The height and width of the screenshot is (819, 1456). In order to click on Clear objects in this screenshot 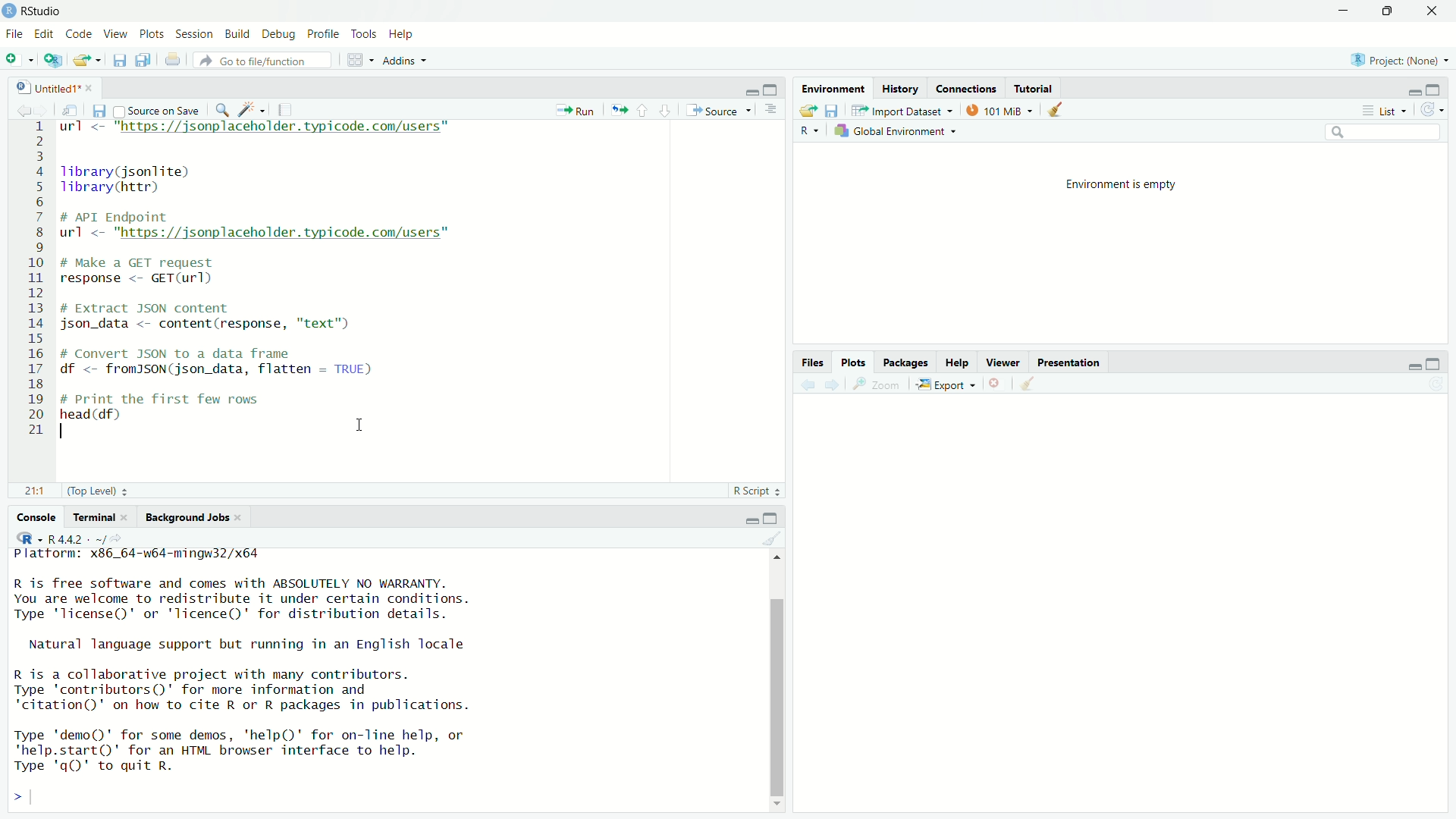, I will do `click(1059, 110)`.